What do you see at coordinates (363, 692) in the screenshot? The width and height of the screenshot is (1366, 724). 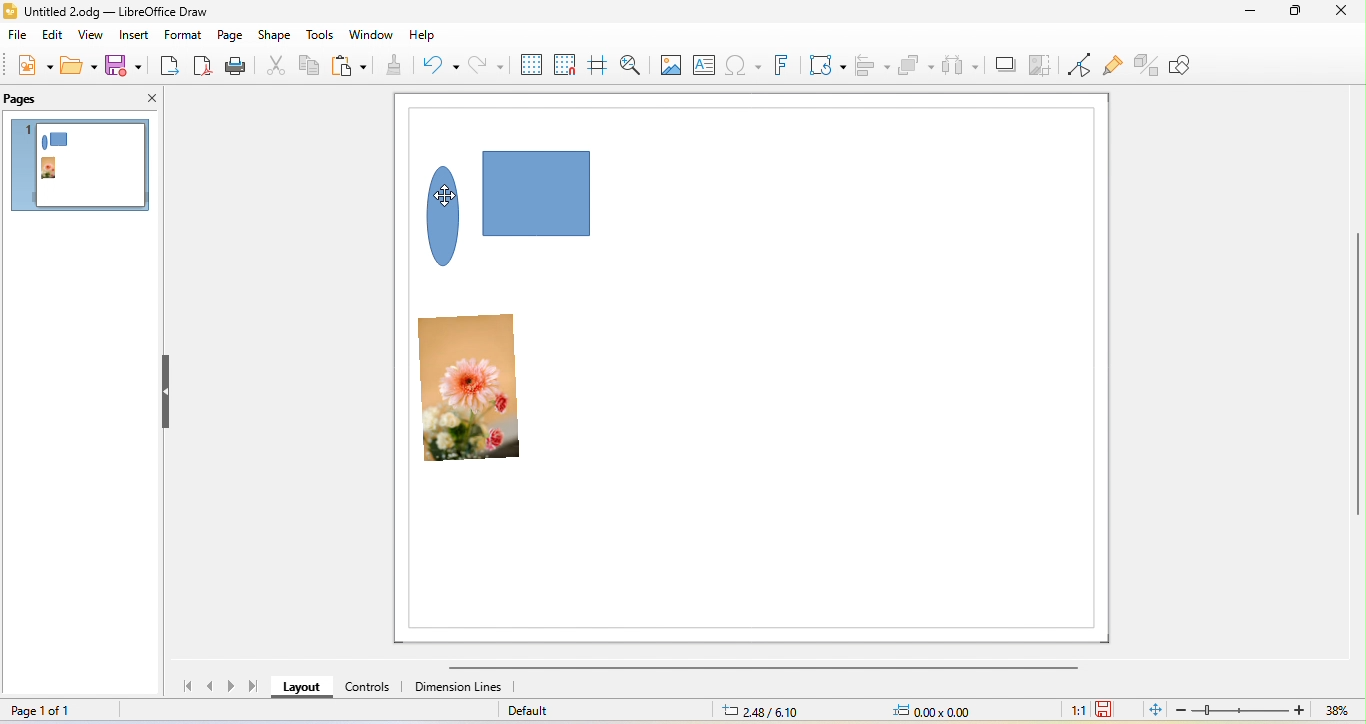 I see `controls` at bounding box center [363, 692].